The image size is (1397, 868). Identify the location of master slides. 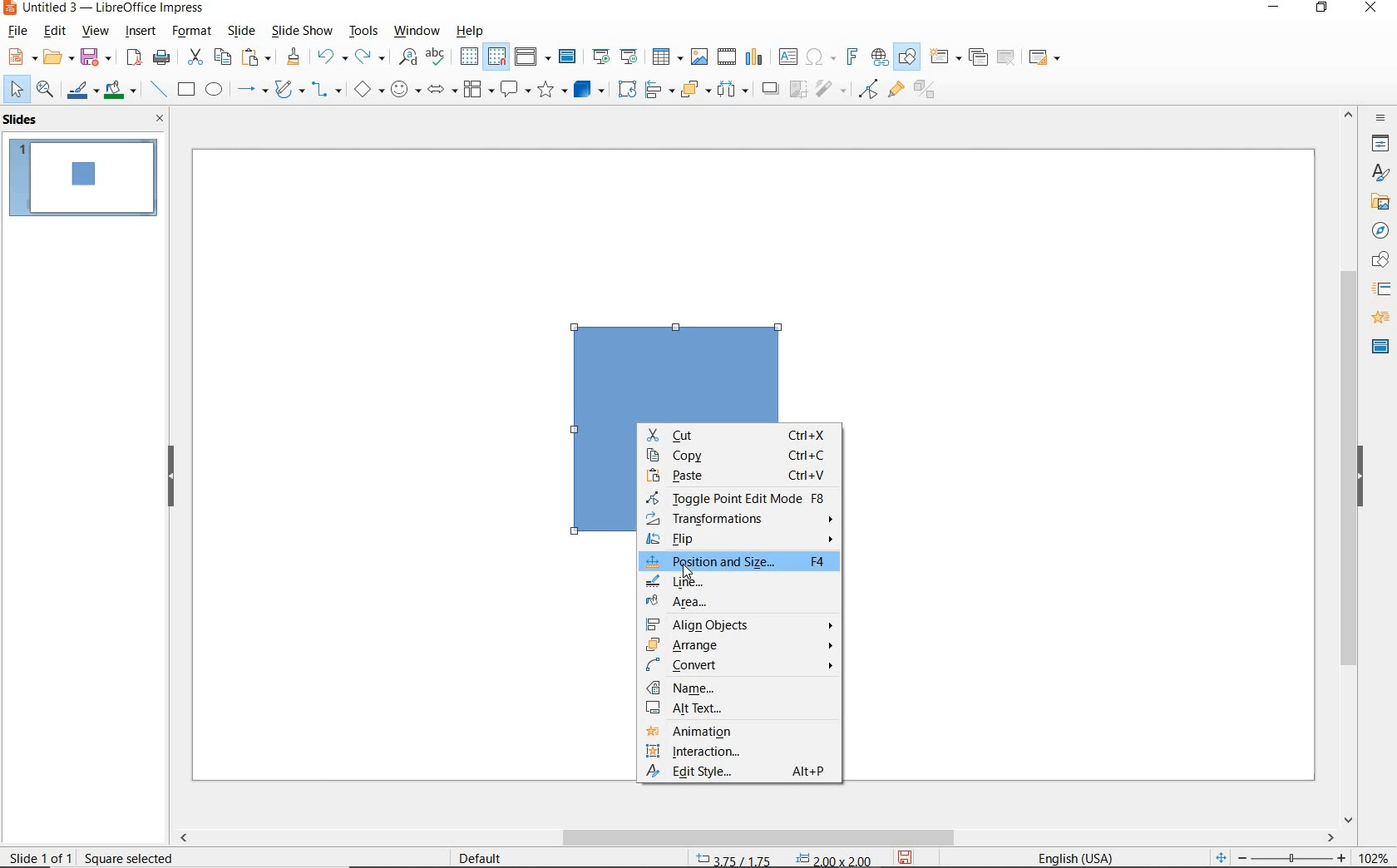
(1377, 348).